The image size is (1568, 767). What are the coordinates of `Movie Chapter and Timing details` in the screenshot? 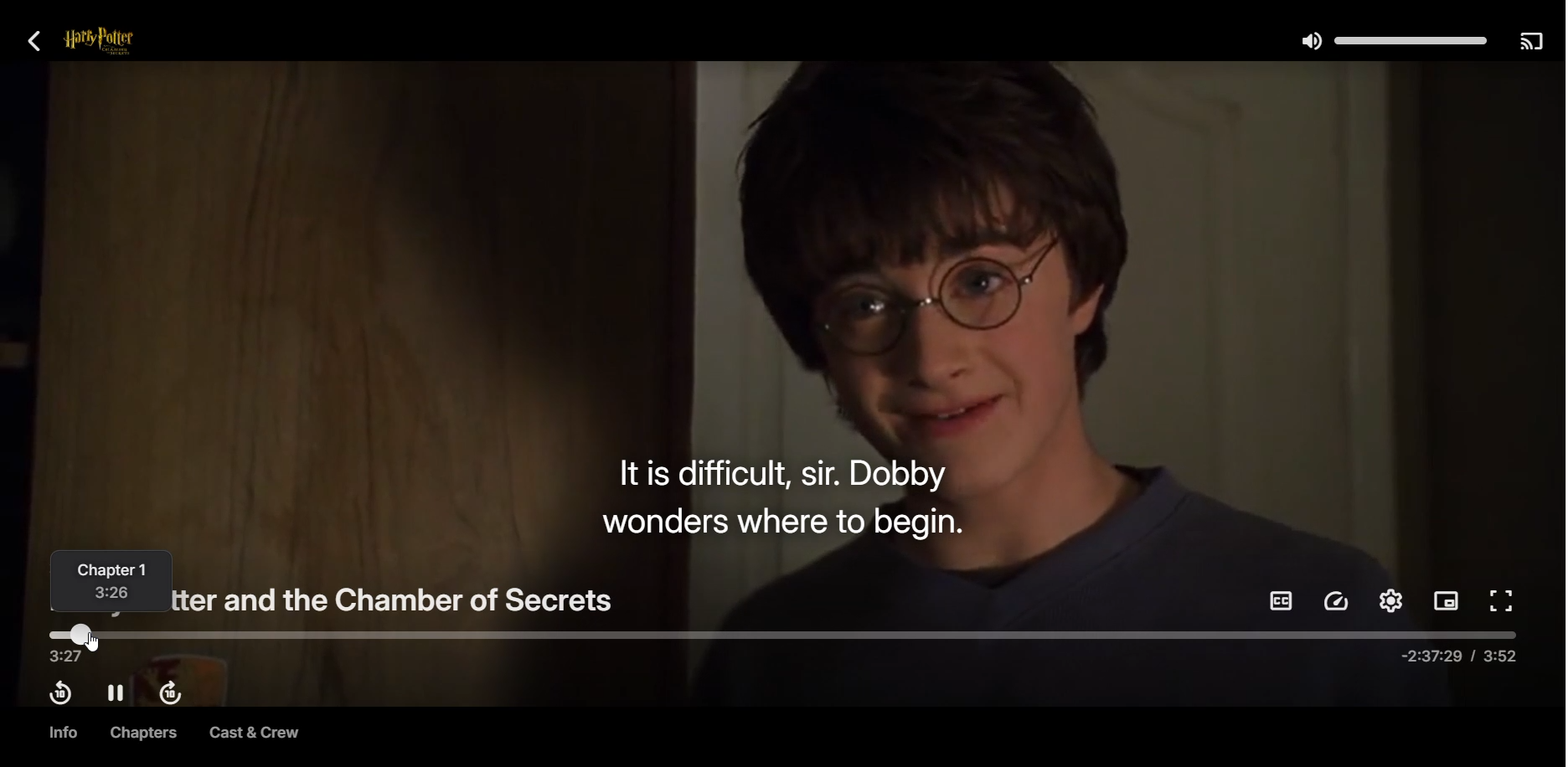 It's located at (115, 583).